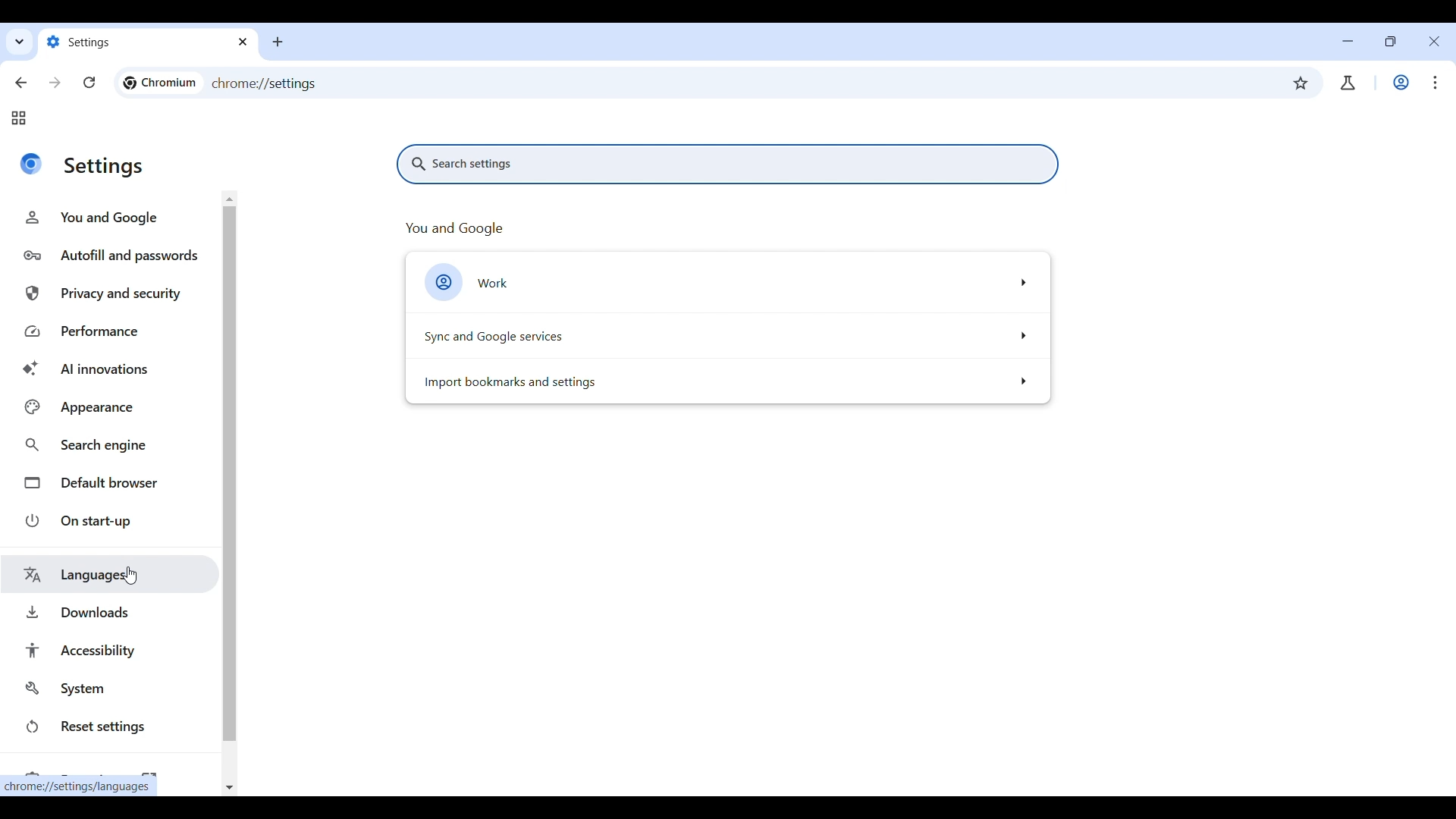 The image size is (1456, 819). What do you see at coordinates (284, 43) in the screenshot?
I see `add new tab` at bounding box center [284, 43].